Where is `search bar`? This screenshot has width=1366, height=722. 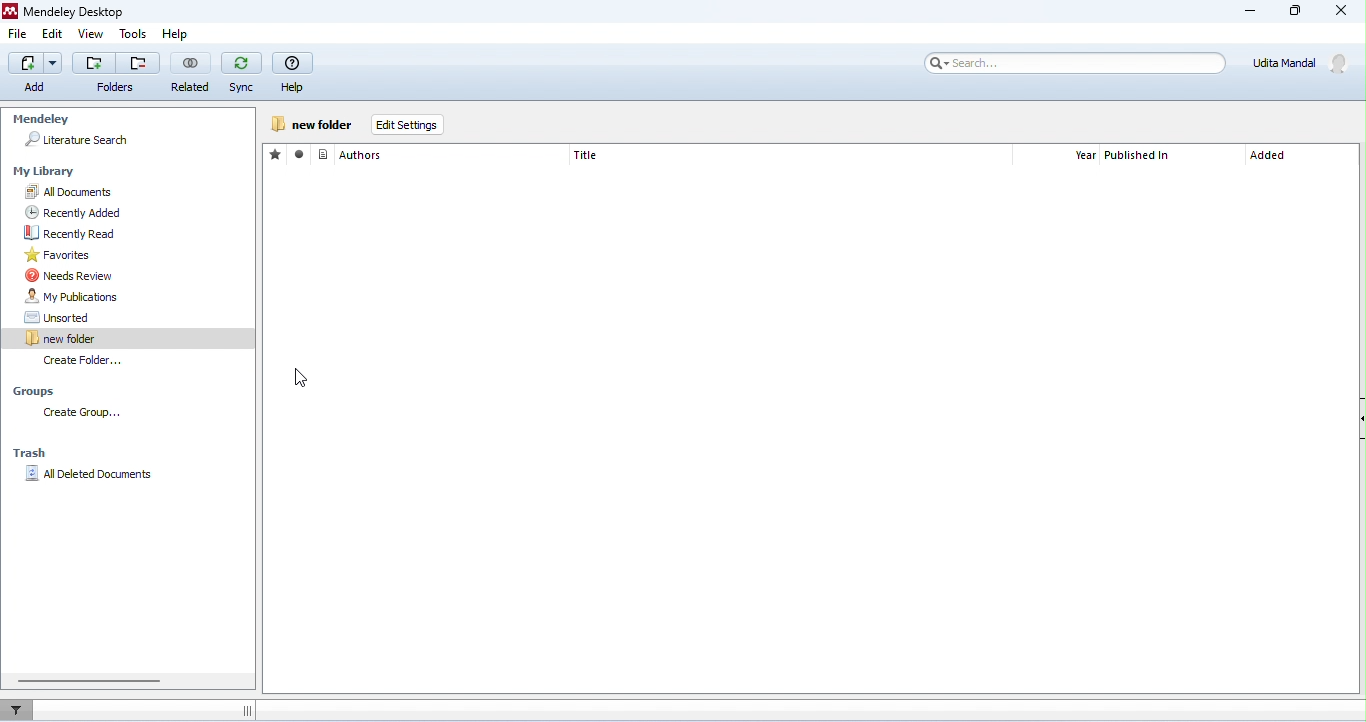 search bar is located at coordinates (1073, 63).